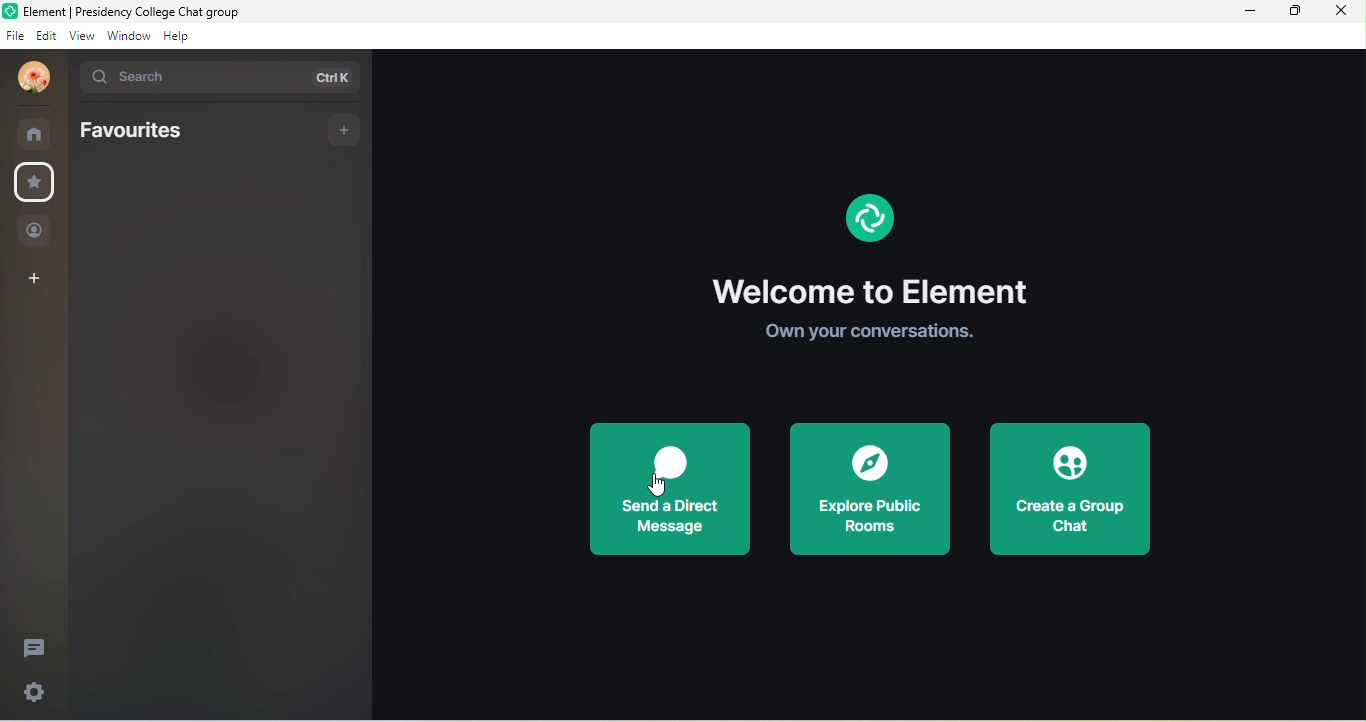 The image size is (1366, 722). I want to click on element logo, so click(870, 217).